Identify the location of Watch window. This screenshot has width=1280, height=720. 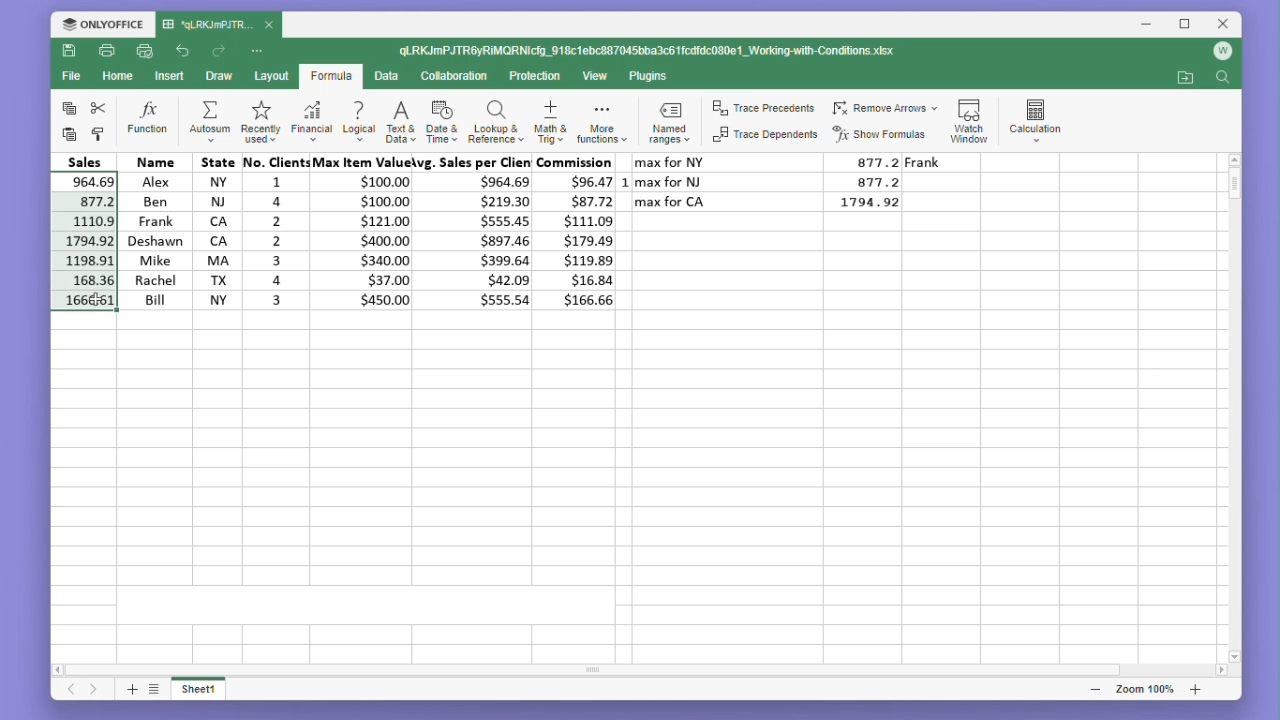
(970, 118).